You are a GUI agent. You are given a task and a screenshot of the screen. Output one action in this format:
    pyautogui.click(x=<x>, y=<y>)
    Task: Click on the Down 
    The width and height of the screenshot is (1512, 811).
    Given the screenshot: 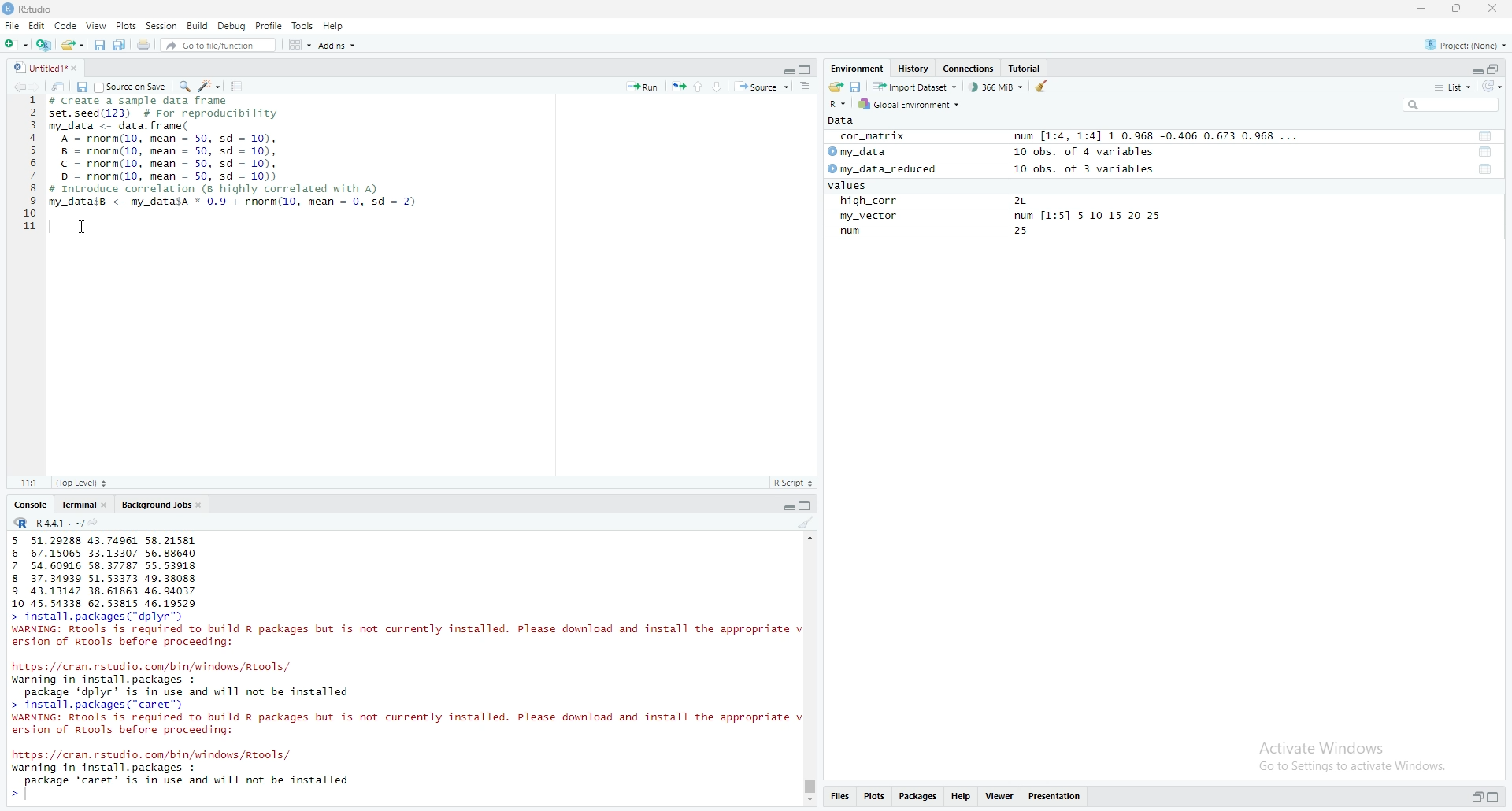 What is the action you would take?
    pyautogui.click(x=717, y=87)
    